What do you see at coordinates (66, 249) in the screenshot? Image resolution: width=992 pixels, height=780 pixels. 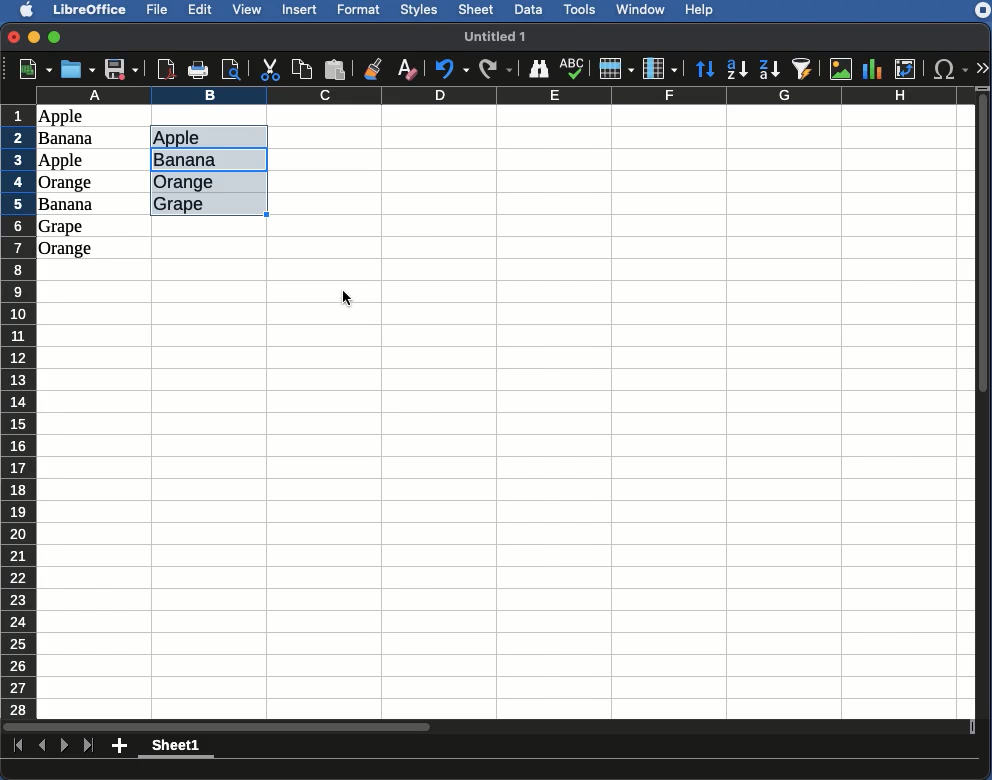 I see `Orange` at bounding box center [66, 249].